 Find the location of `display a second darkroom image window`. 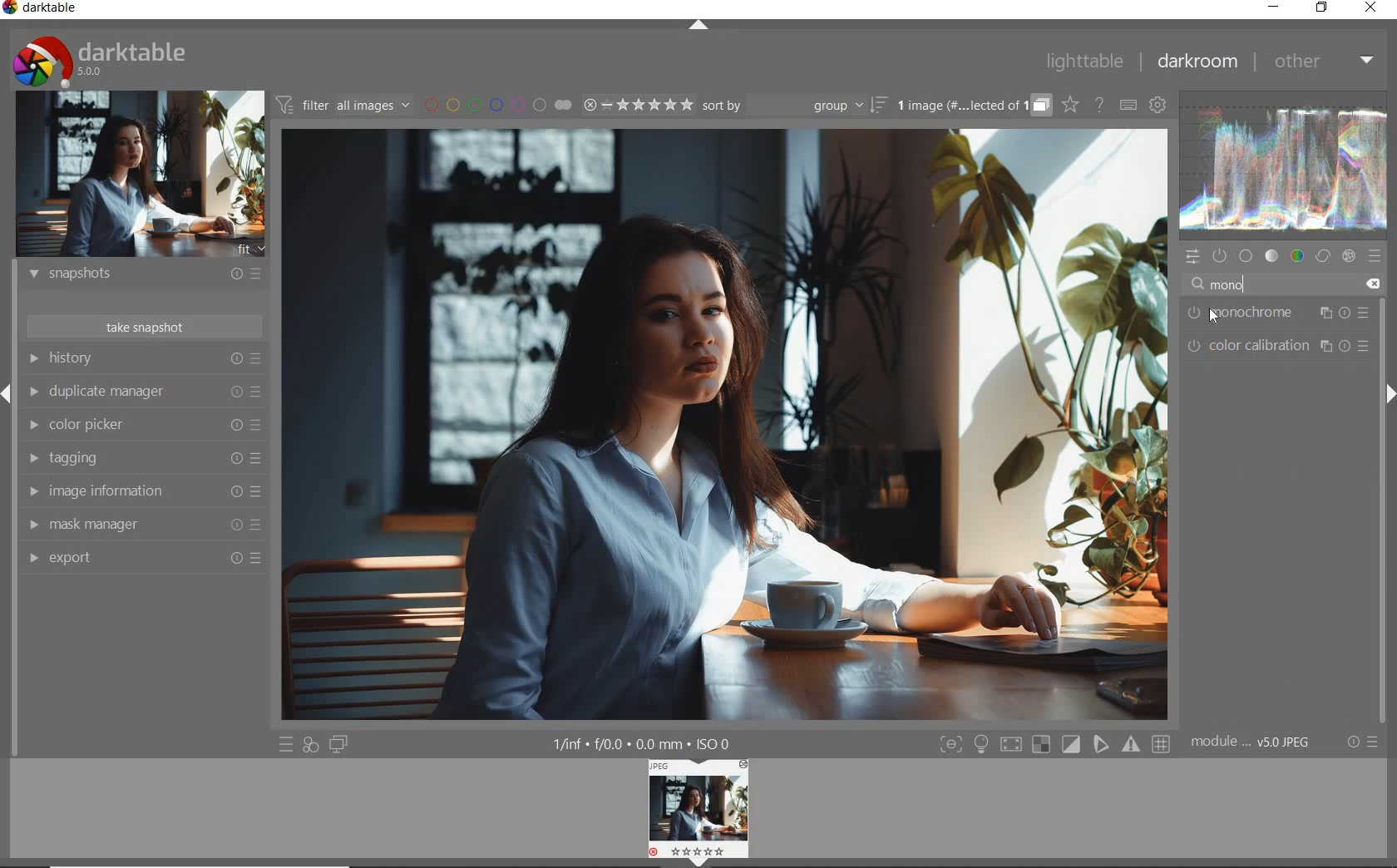

display a second darkroom image window is located at coordinates (338, 742).